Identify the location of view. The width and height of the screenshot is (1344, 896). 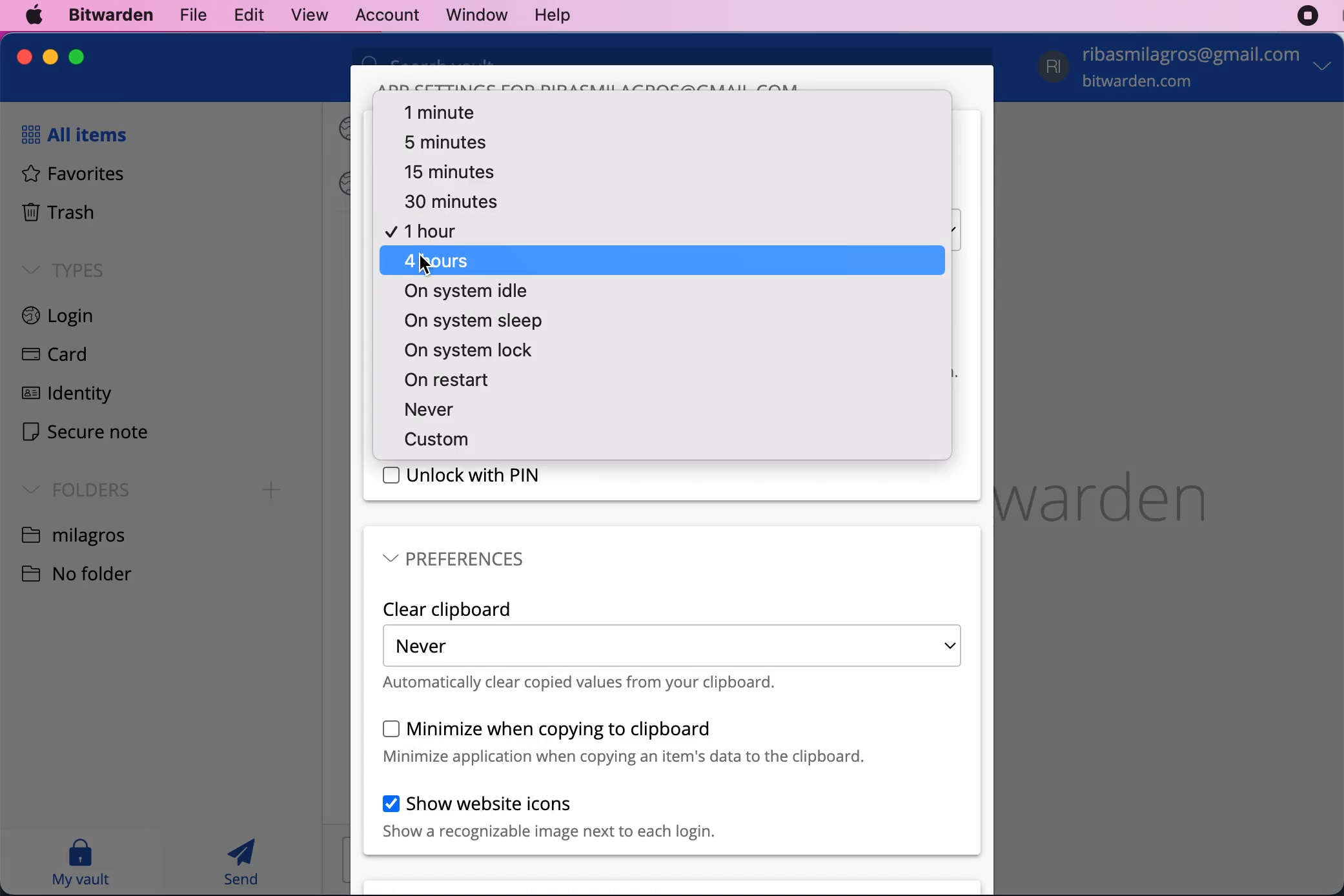
(303, 15).